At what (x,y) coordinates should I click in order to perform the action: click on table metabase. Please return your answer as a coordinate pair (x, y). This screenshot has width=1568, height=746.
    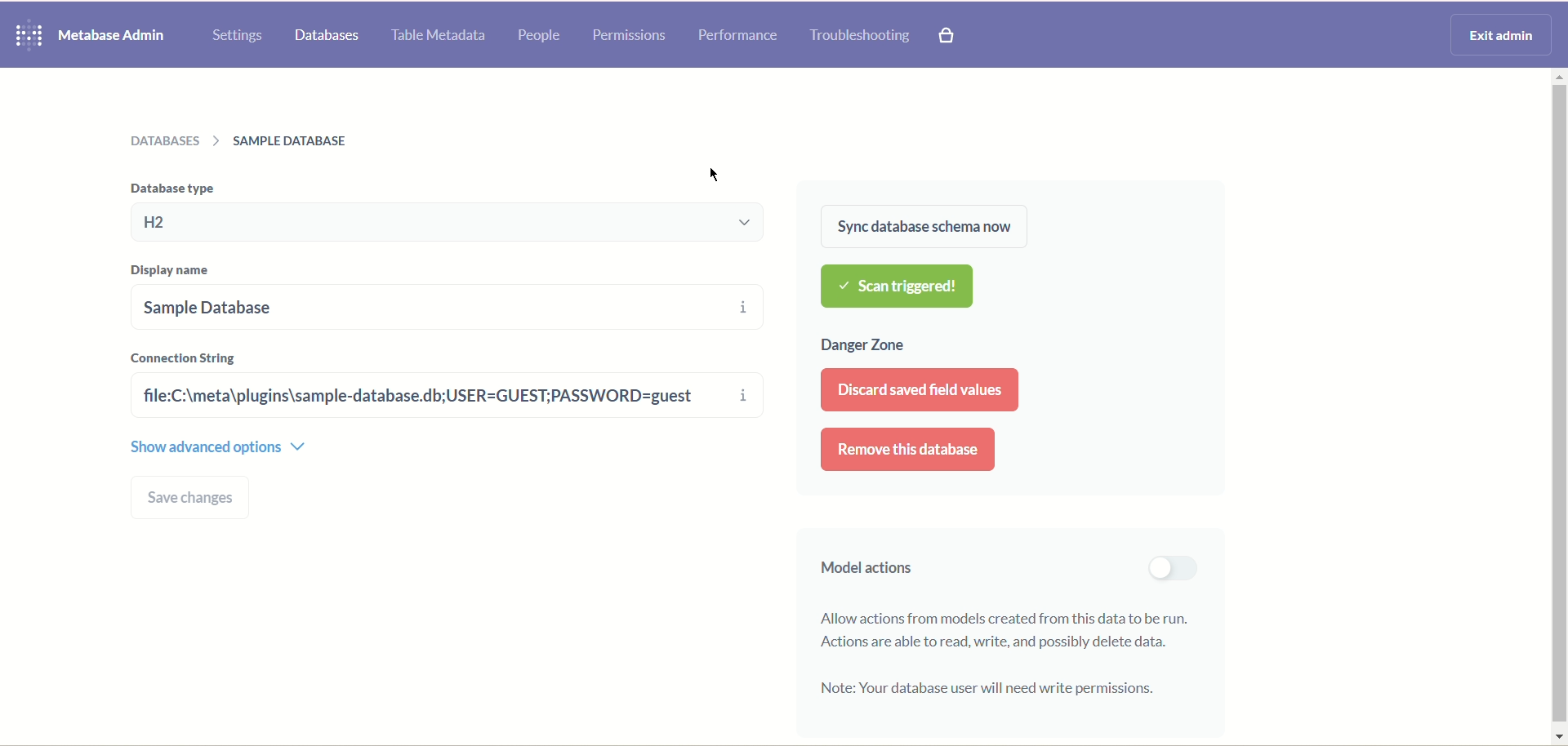
    Looking at the image, I should click on (435, 37).